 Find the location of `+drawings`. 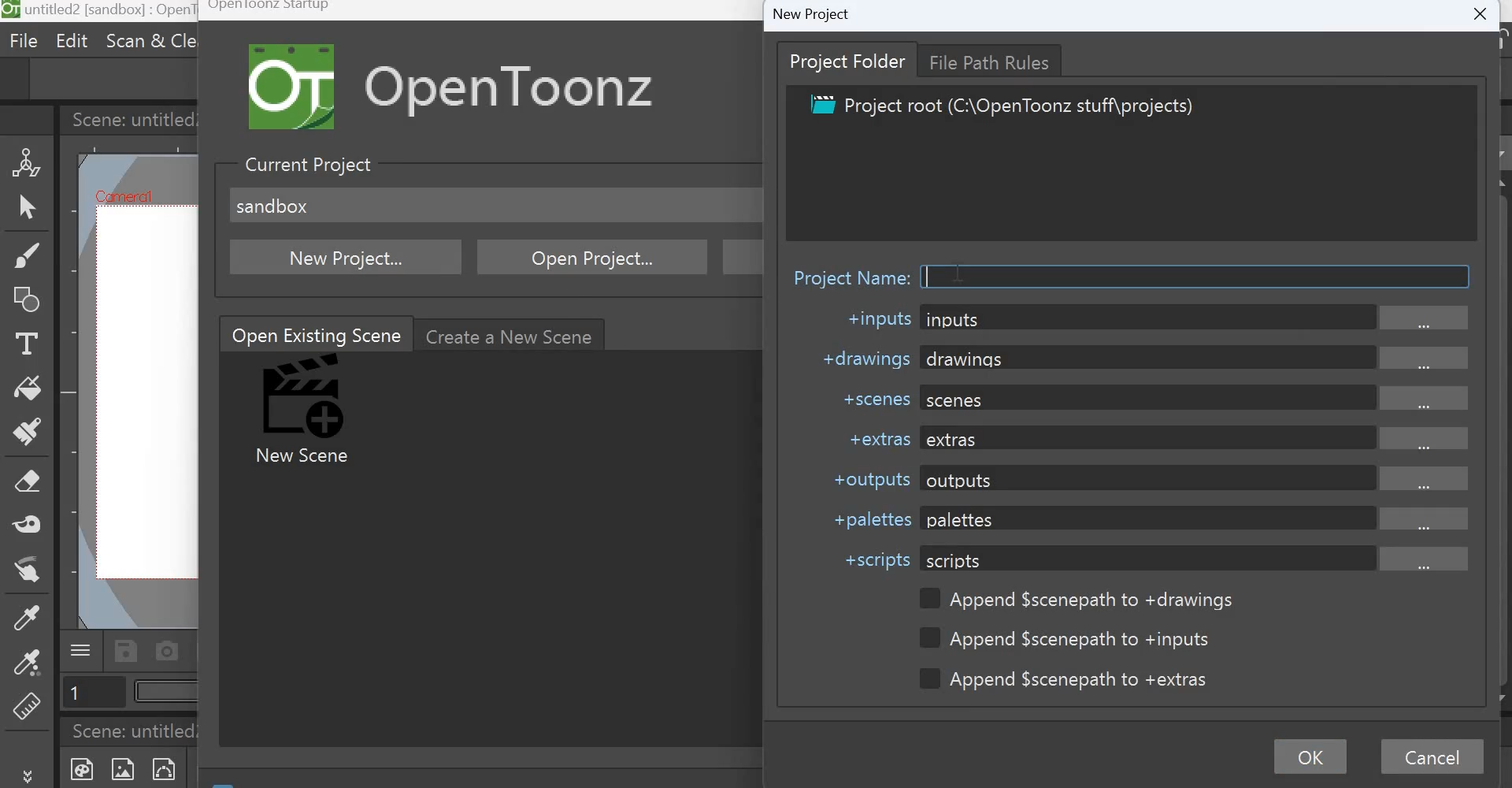

+drawings is located at coordinates (862, 358).